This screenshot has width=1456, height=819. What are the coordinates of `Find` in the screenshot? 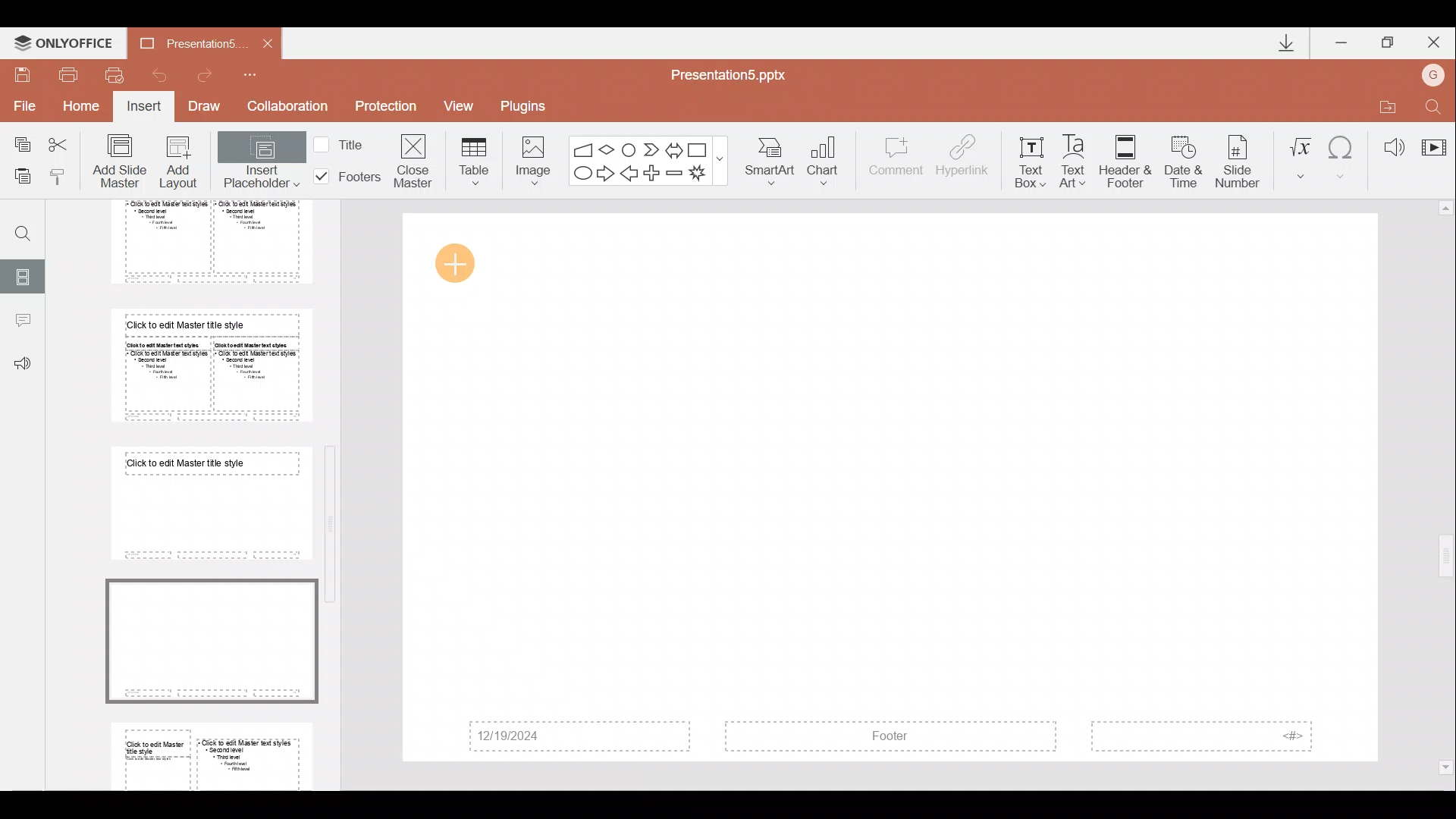 It's located at (17, 227).